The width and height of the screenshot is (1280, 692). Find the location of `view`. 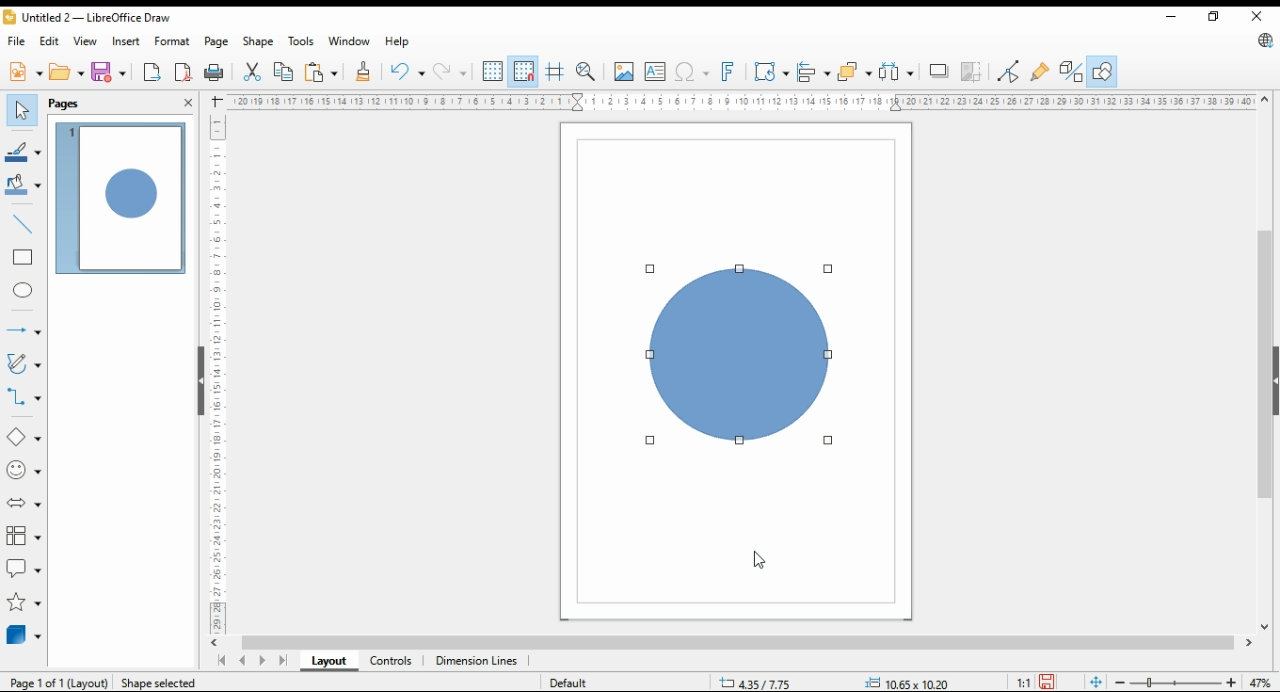

view is located at coordinates (84, 41).